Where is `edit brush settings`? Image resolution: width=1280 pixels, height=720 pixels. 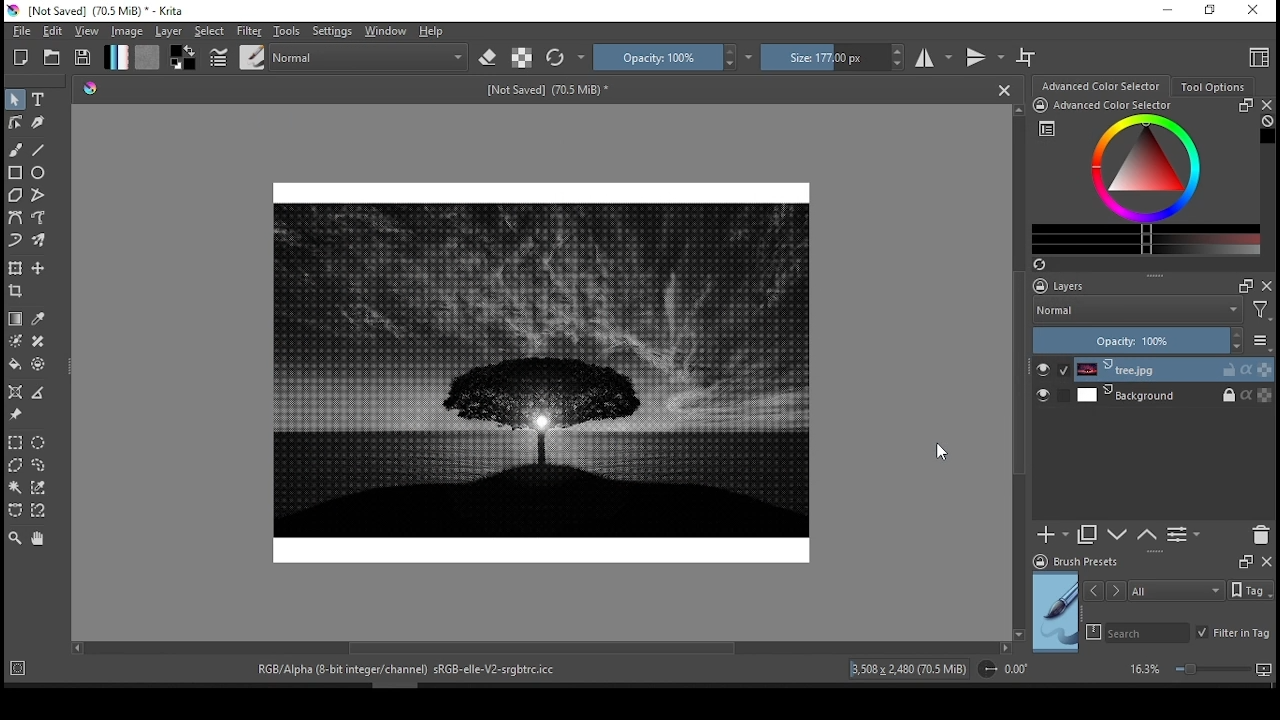 edit brush settings is located at coordinates (219, 56).